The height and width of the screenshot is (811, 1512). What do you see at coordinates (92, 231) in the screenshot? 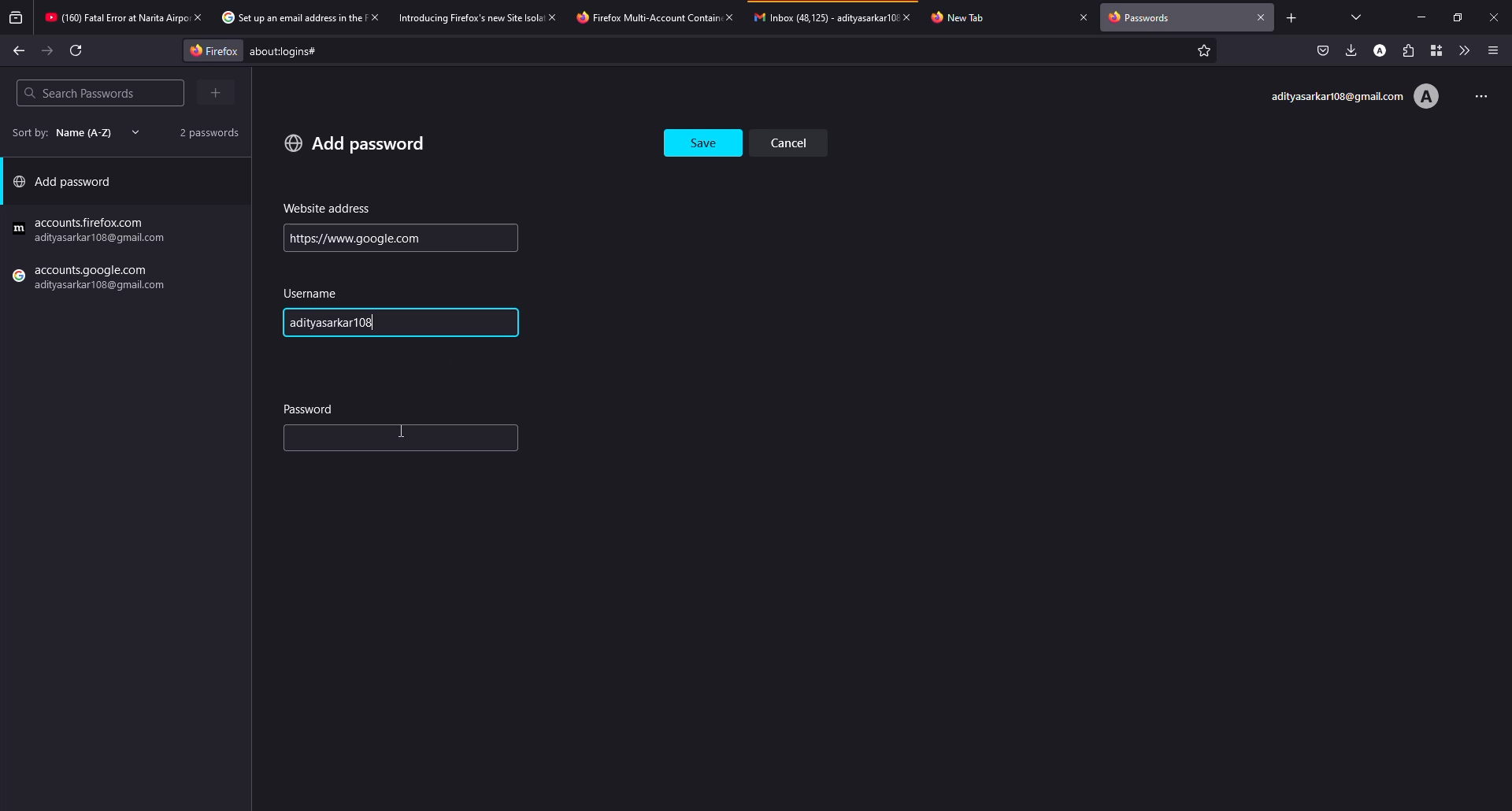
I see `google` at bounding box center [92, 231].